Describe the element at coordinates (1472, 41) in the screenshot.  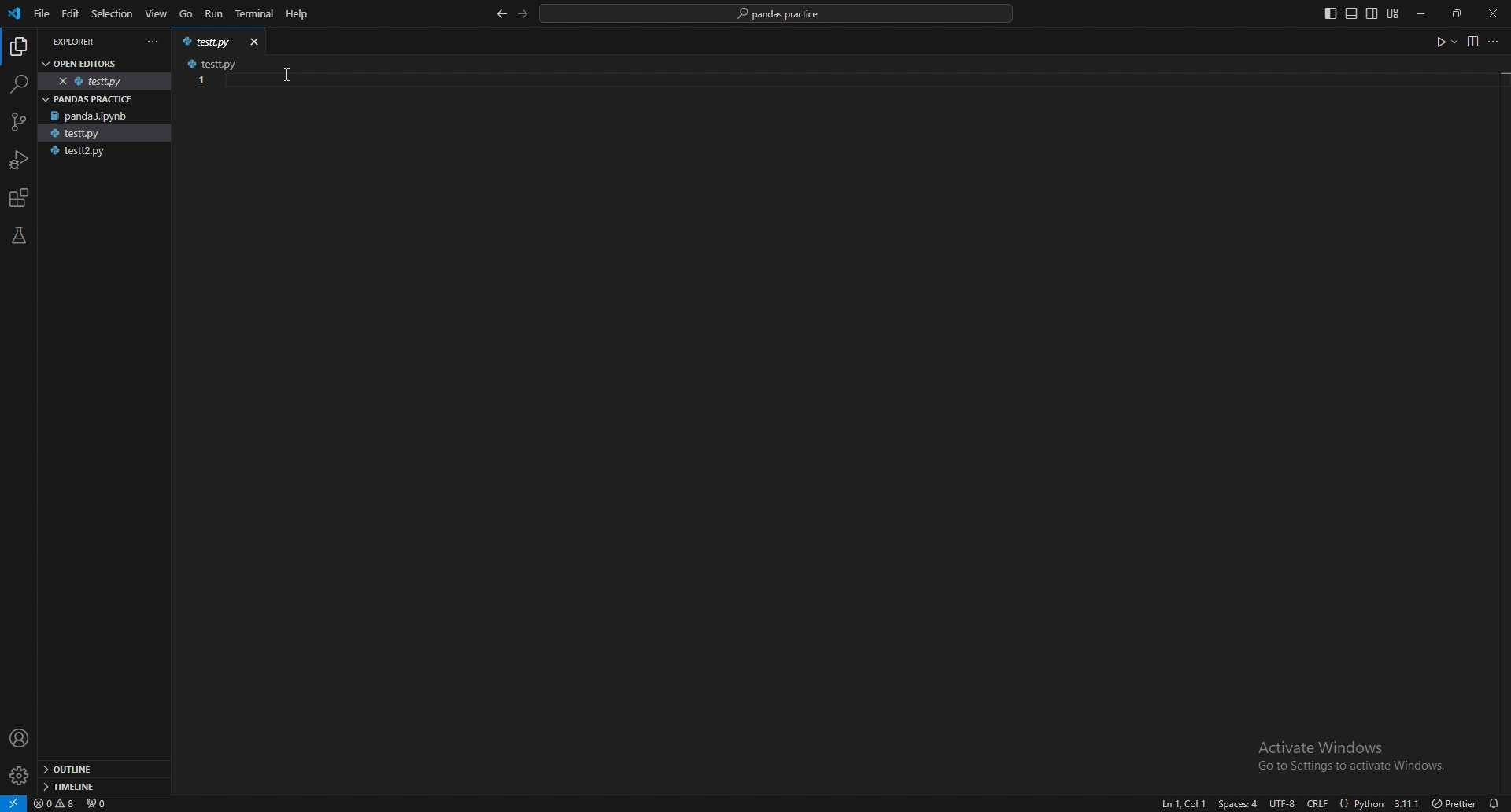
I see `view` at that location.